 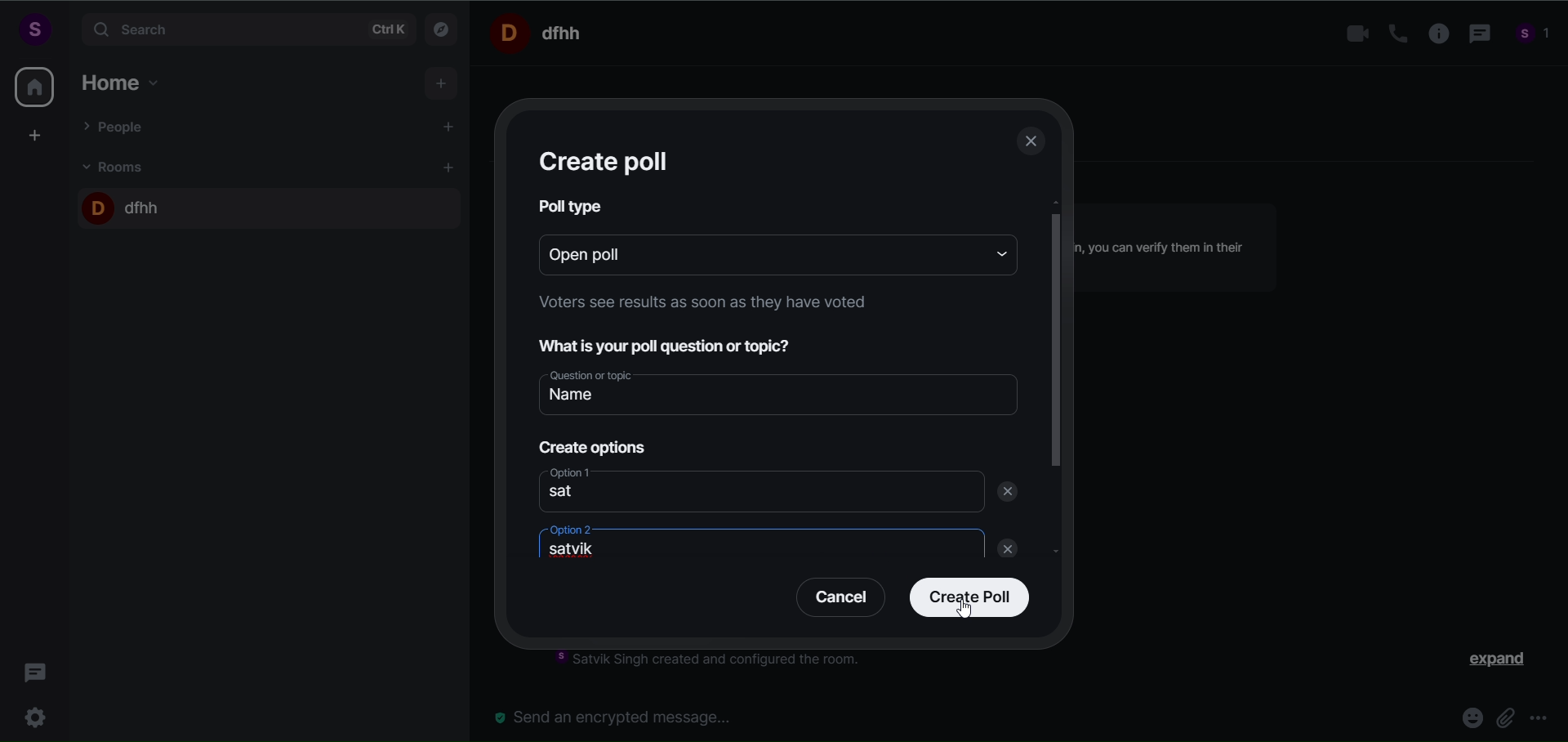 What do you see at coordinates (1011, 502) in the screenshot?
I see `remove` at bounding box center [1011, 502].